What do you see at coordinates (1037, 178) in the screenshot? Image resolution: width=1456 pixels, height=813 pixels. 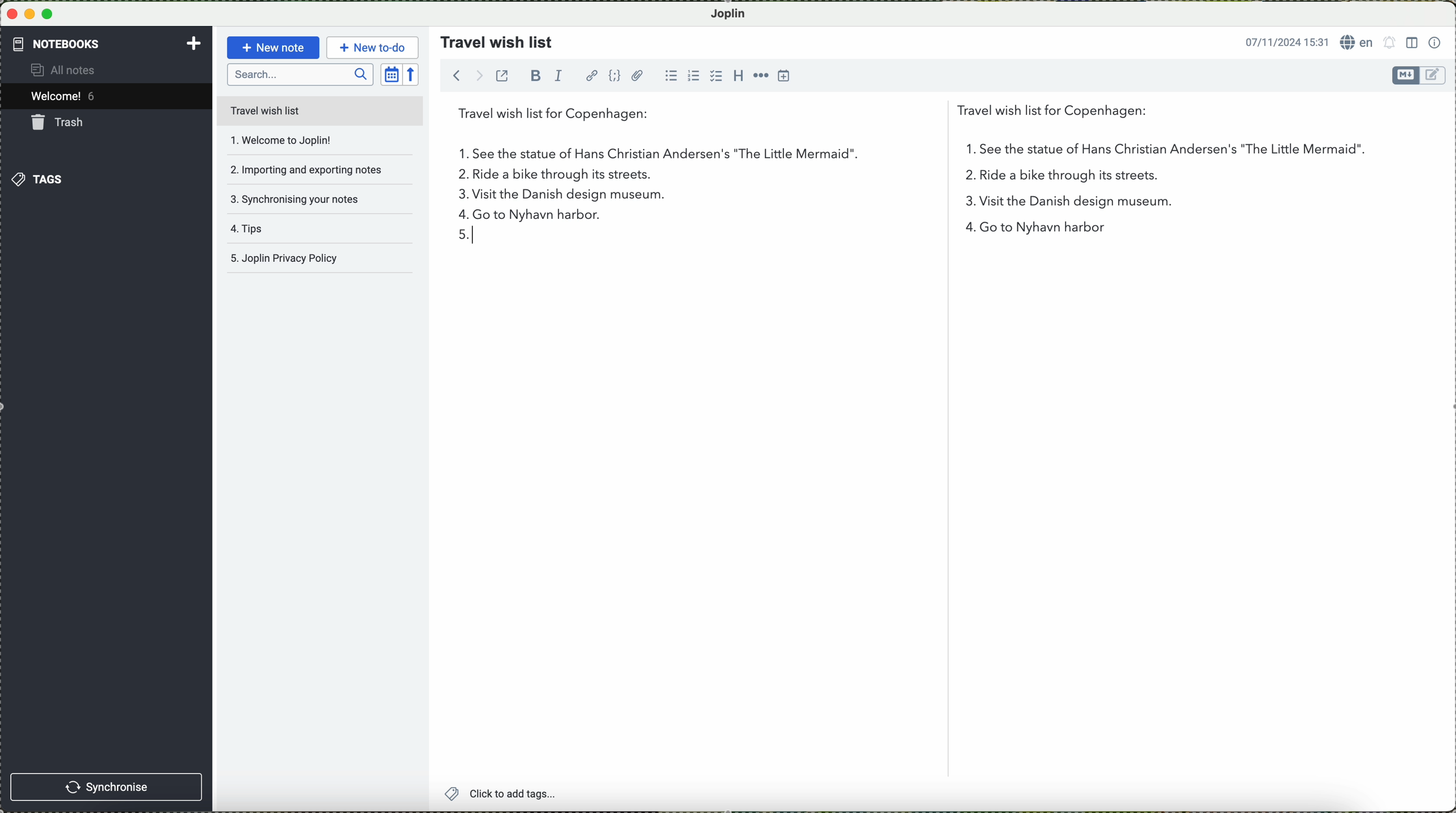 I see `2 in the list` at bounding box center [1037, 178].